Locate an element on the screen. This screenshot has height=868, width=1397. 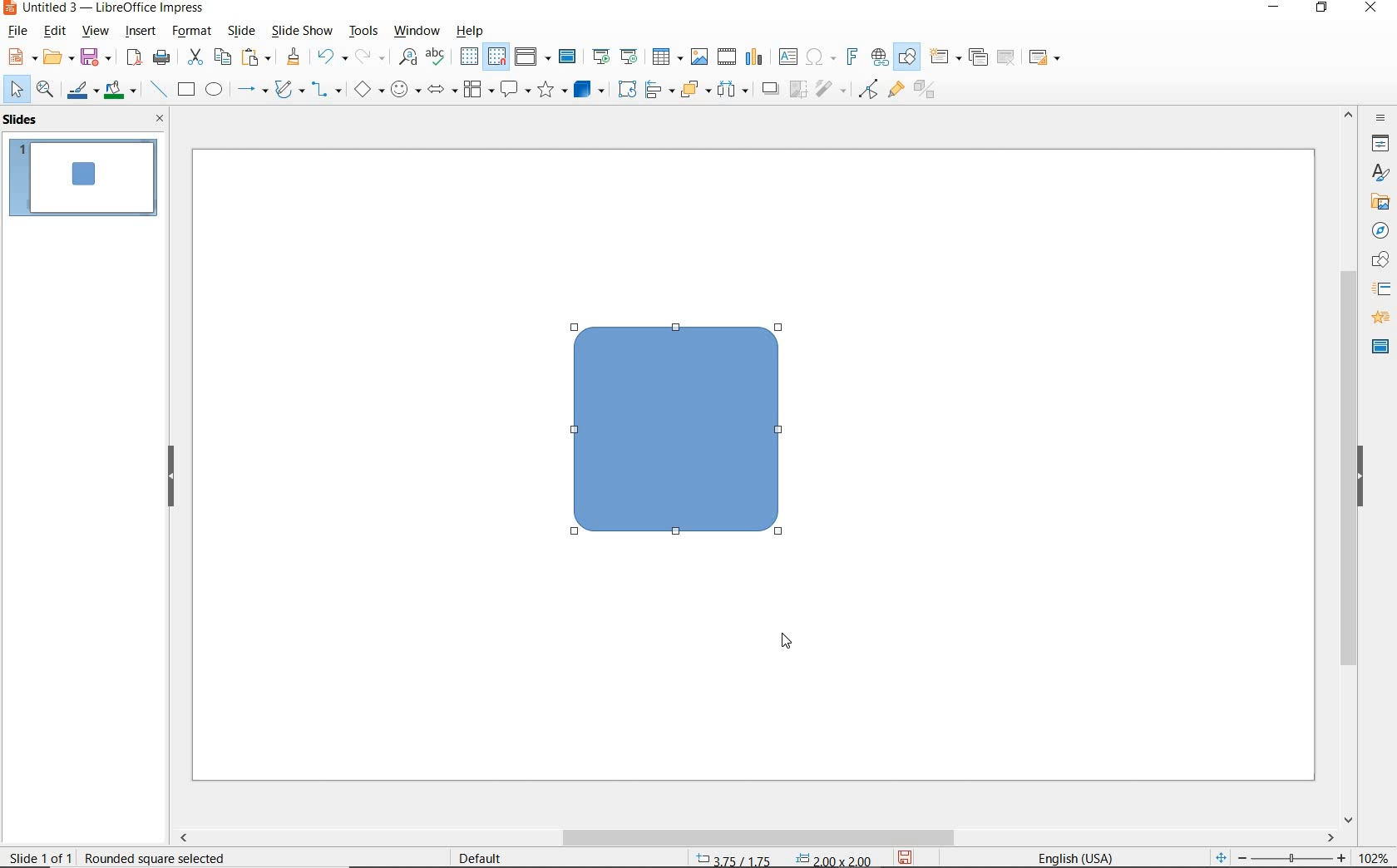
scrollbar is located at coordinates (758, 838).